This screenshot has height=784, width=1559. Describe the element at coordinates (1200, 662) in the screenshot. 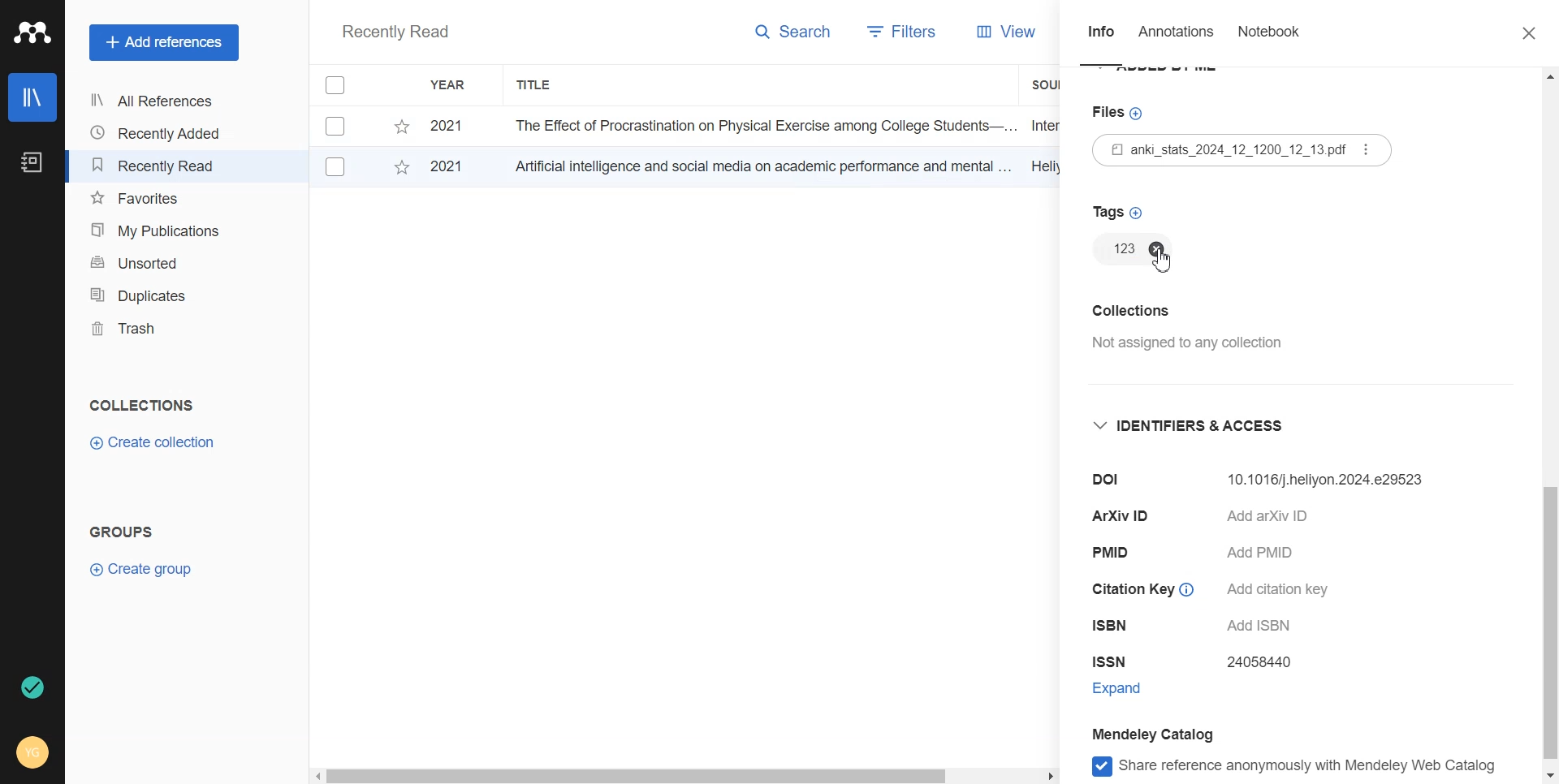

I see `ISSN 14623730` at that location.